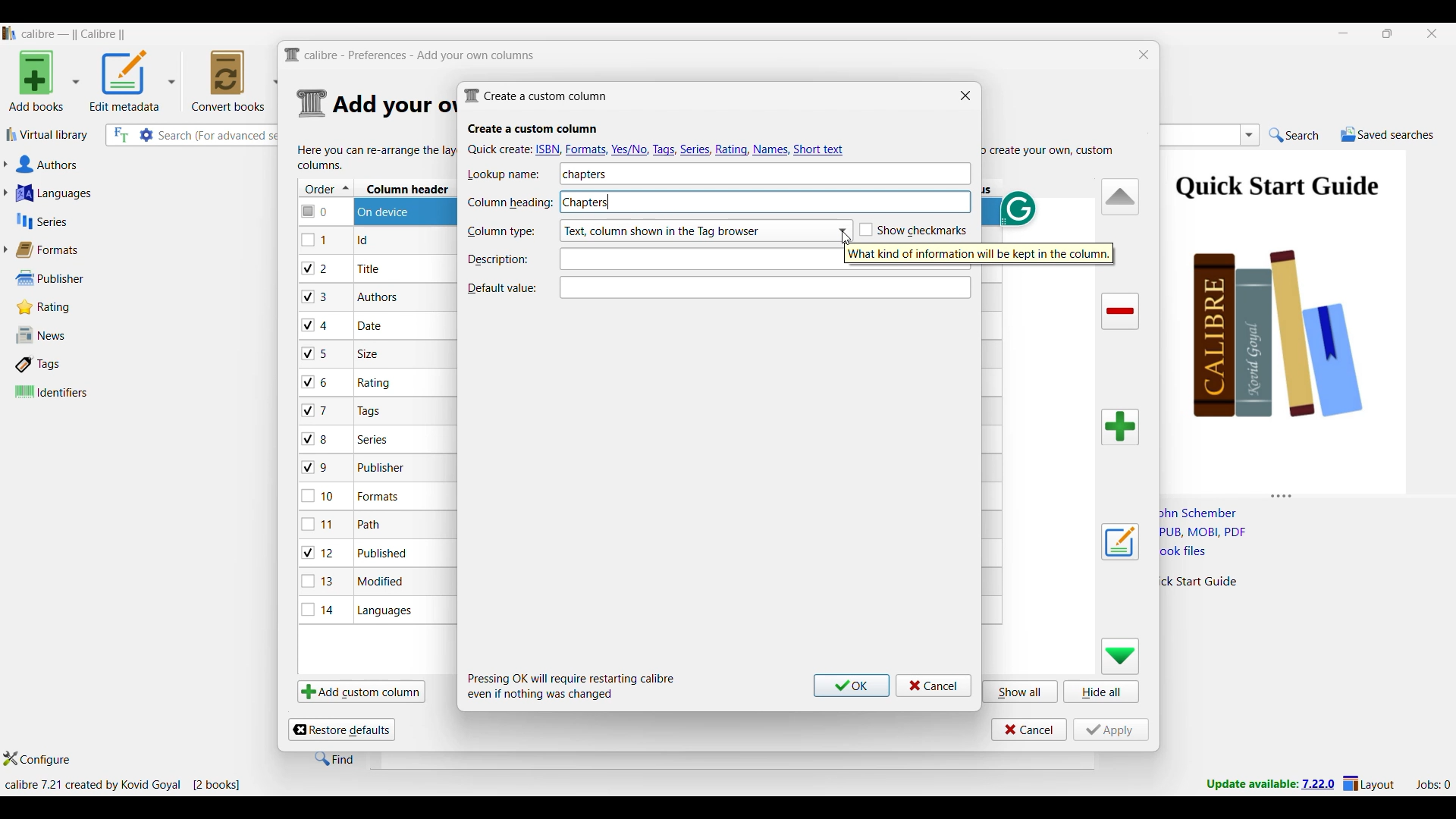 The height and width of the screenshot is (819, 1456). I want to click on Advanced search, so click(146, 135).